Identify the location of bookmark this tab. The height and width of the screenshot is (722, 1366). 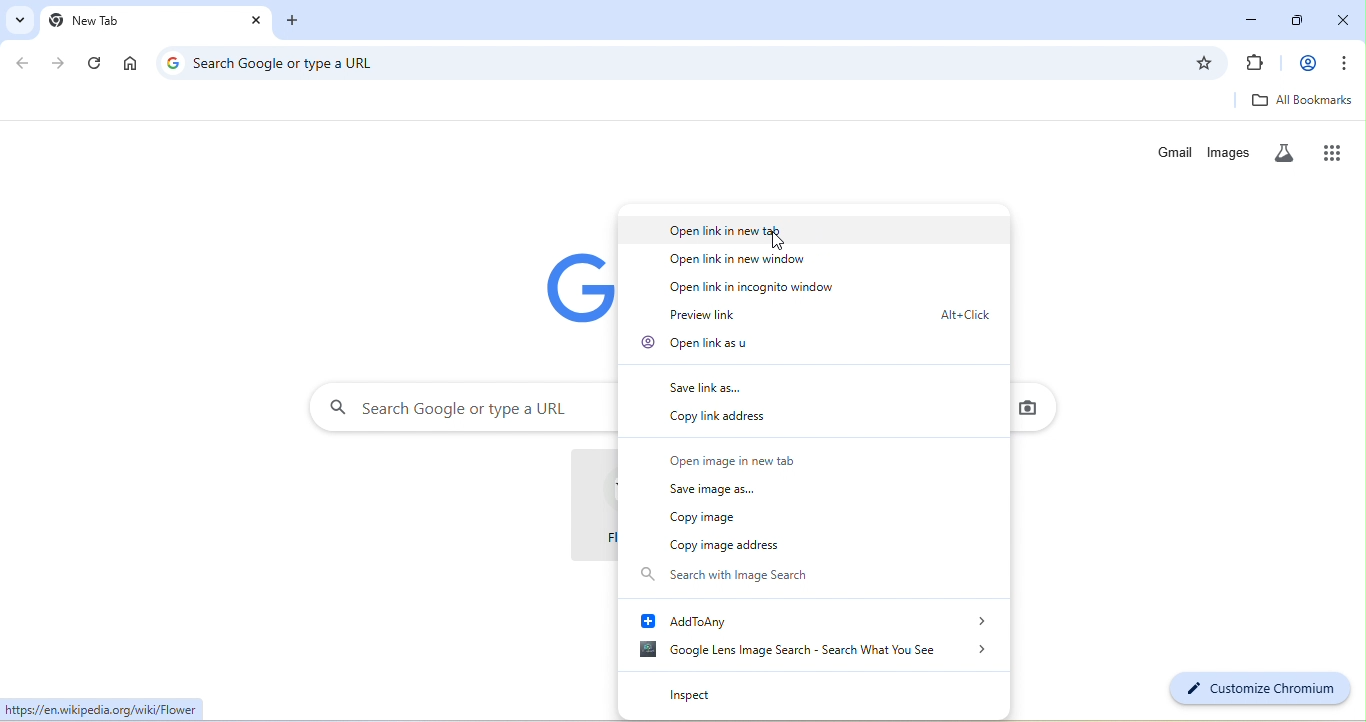
(1204, 63).